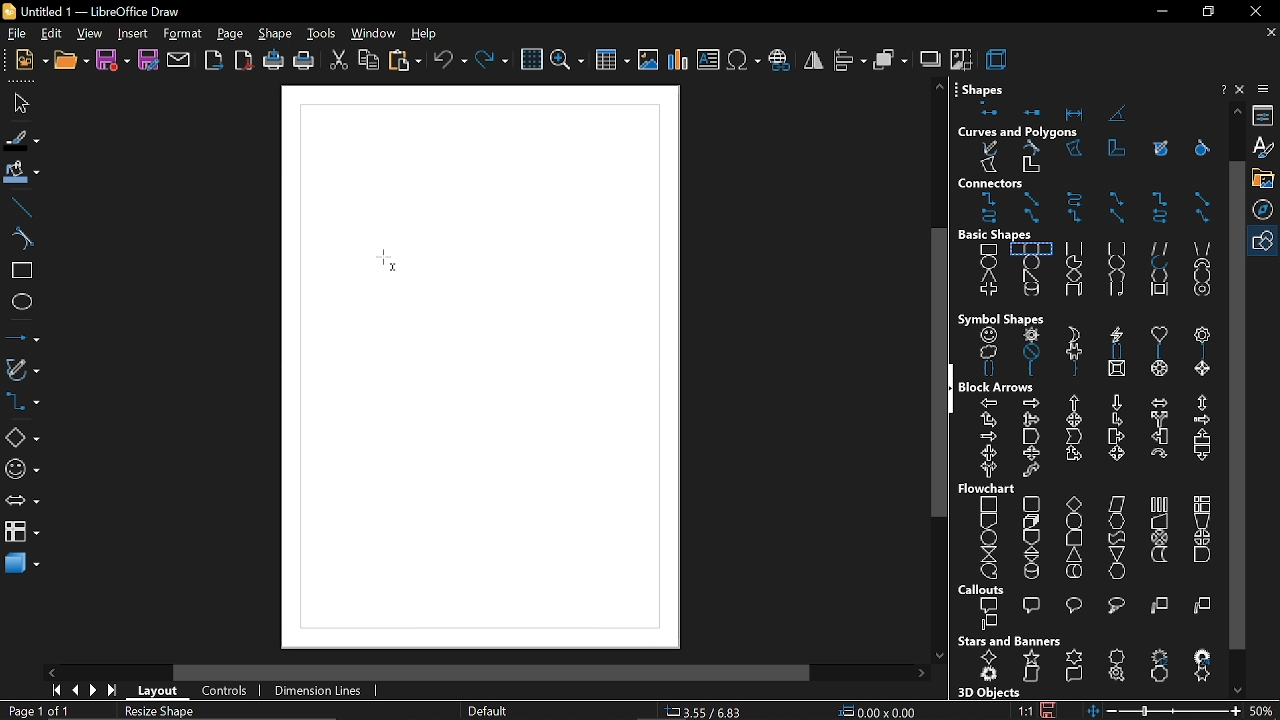 This screenshot has height=720, width=1280. What do you see at coordinates (1025, 711) in the screenshot?
I see `scaling factor` at bounding box center [1025, 711].